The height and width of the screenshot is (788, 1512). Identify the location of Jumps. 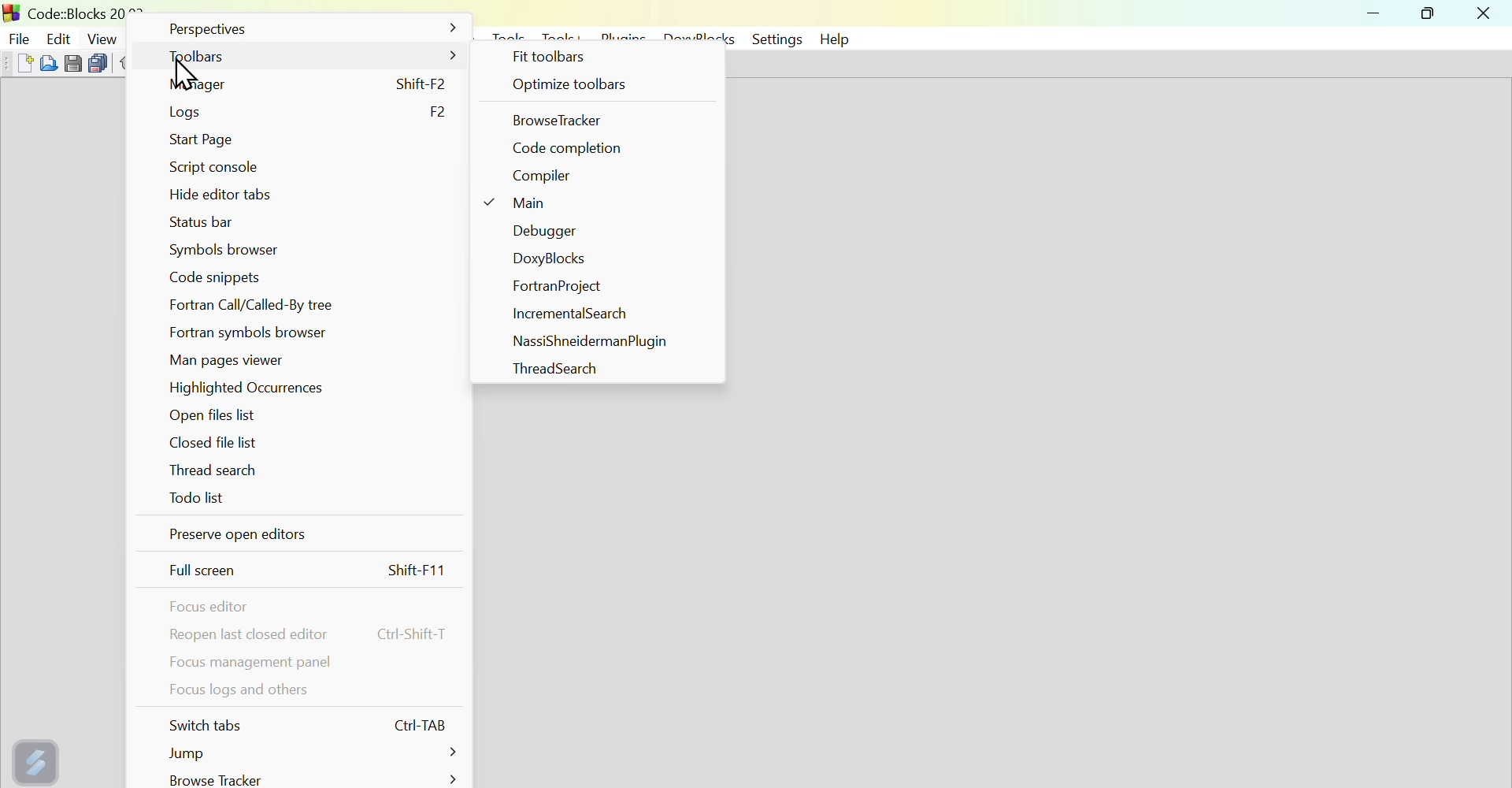
(302, 753).